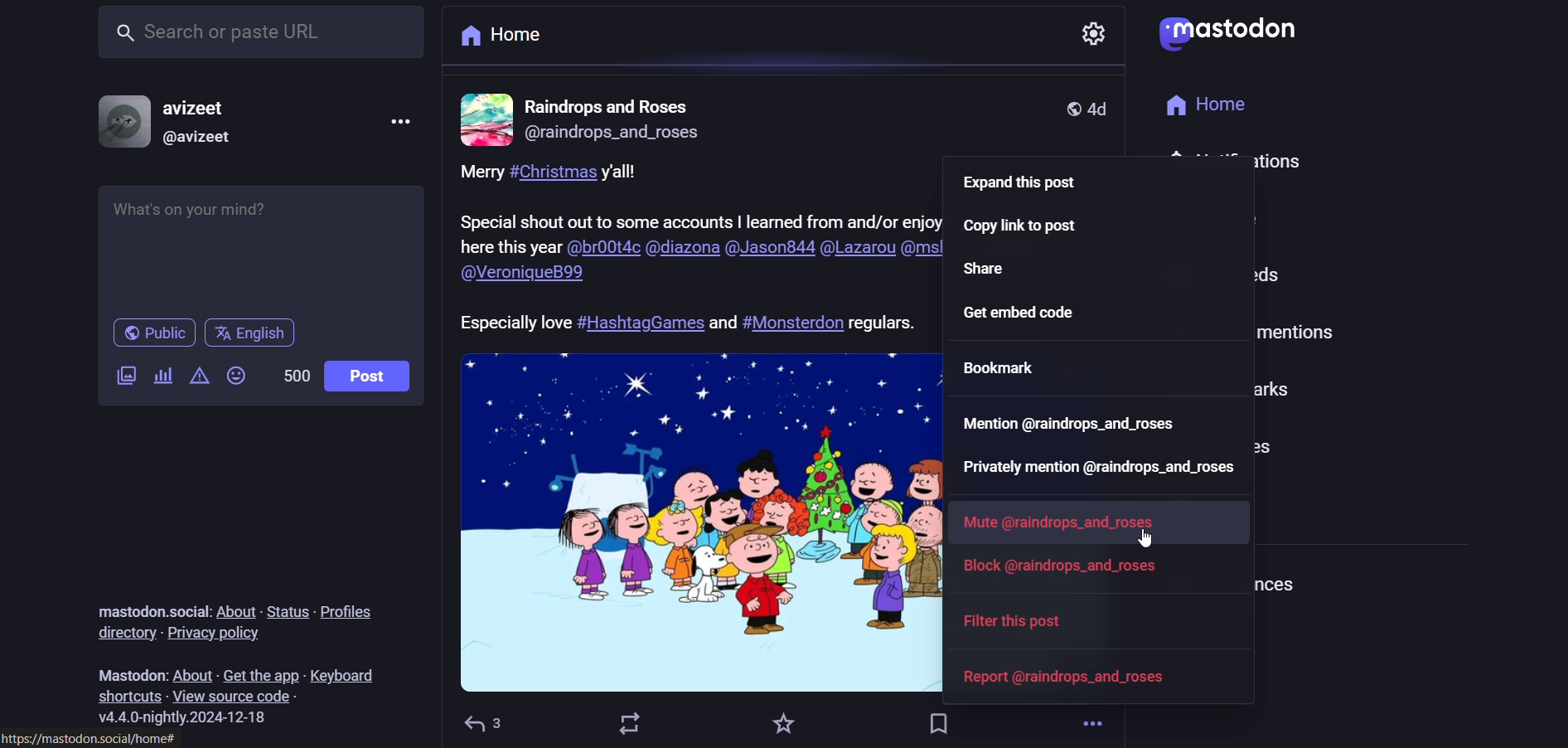 This screenshot has height=748, width=1568. I want to click on @br00t4c, so click(602, 248).